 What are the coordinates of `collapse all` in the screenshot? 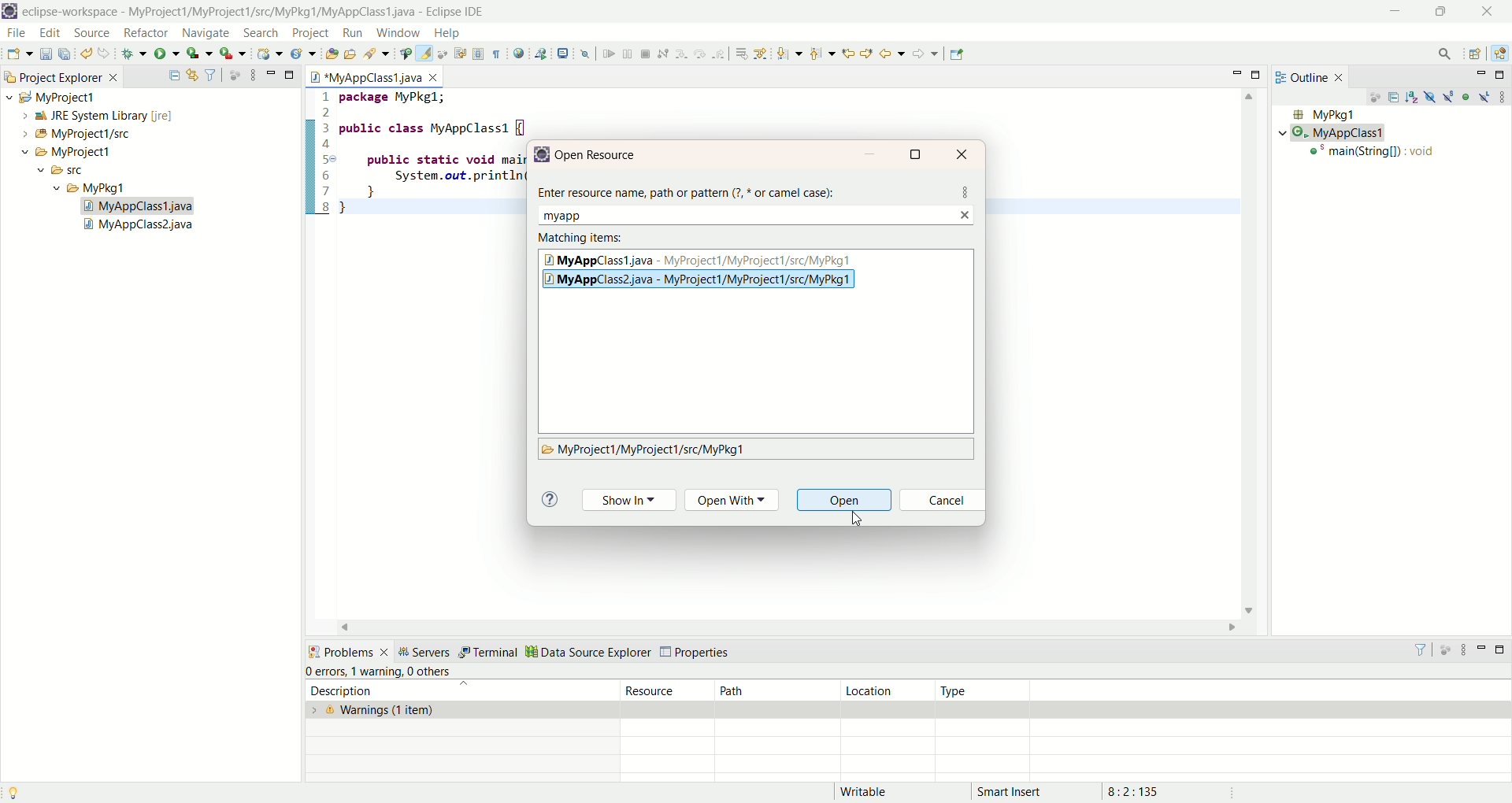 It's located at (174, 76).